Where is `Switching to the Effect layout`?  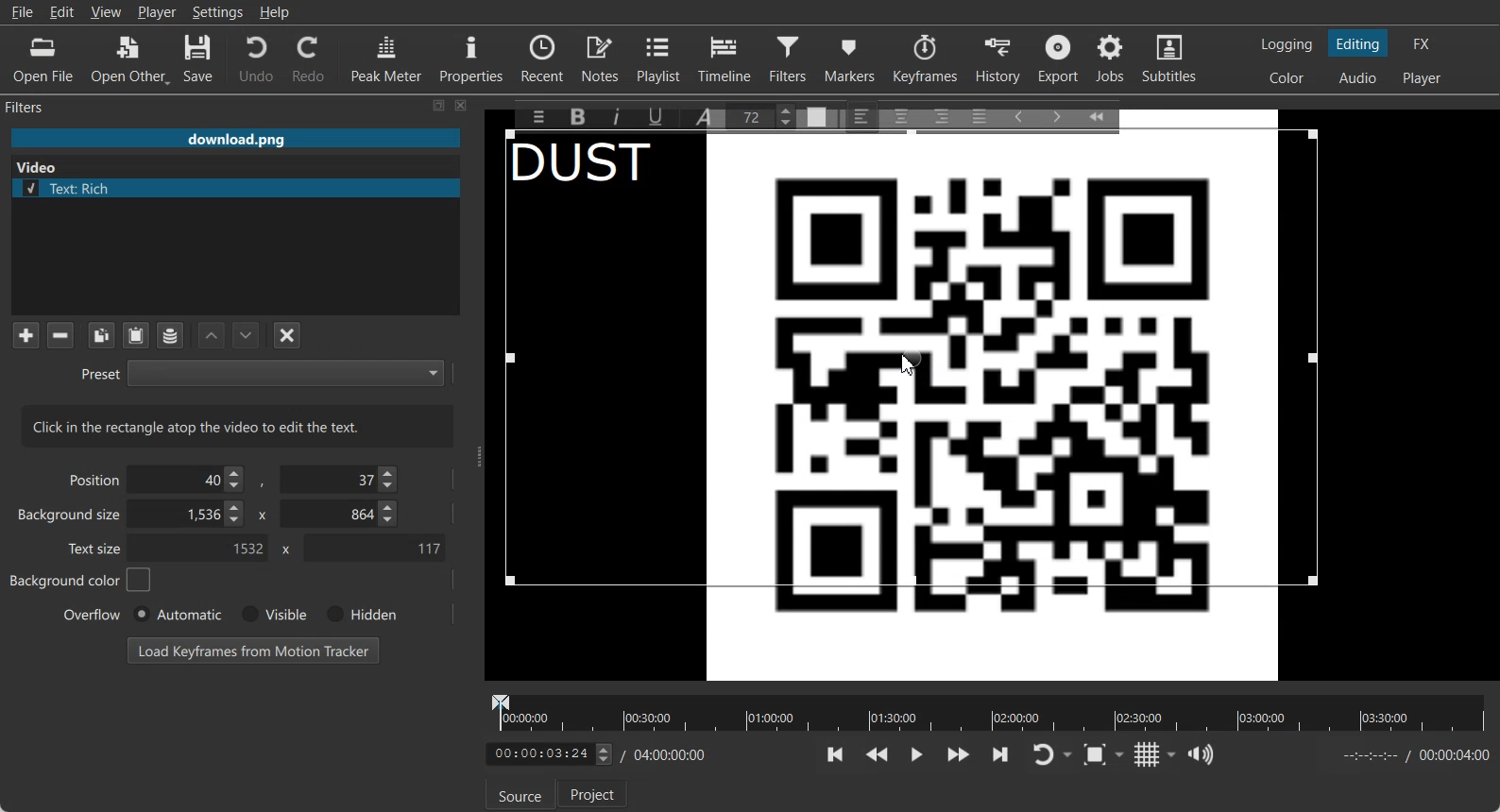
Switching to the Effect layout is located at coordinates (1423, 43).